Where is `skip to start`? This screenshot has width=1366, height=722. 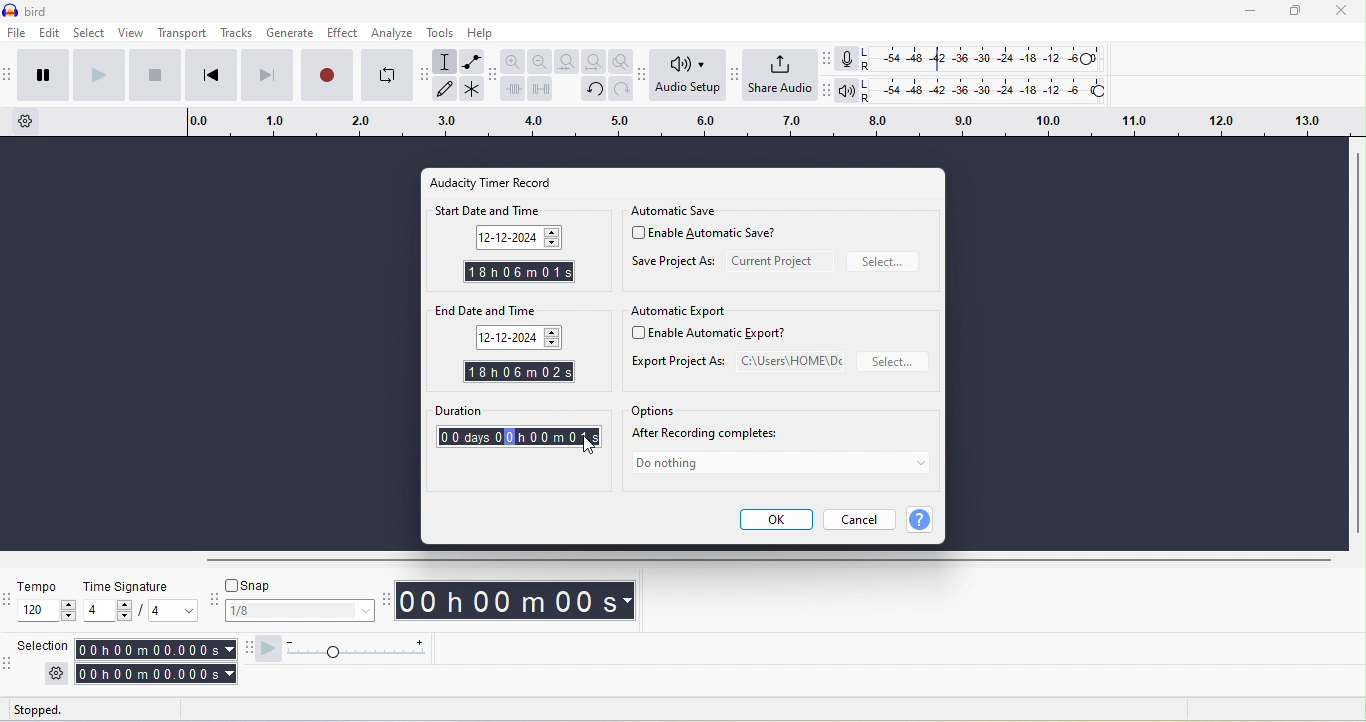
skip to start is located at coordinates (207, 78).